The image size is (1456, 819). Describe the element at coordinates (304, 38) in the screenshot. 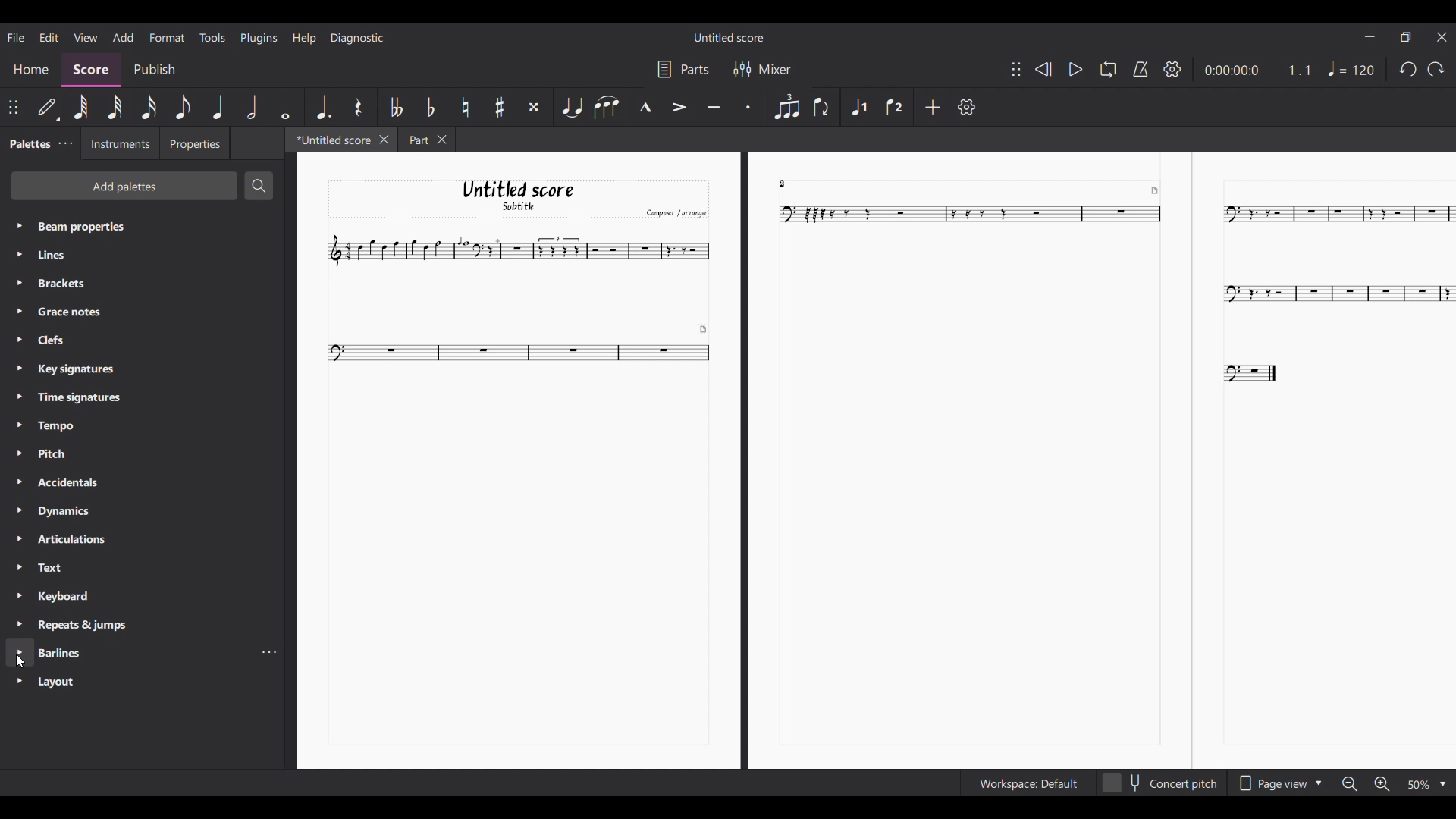

I see `Help menu` at that location.